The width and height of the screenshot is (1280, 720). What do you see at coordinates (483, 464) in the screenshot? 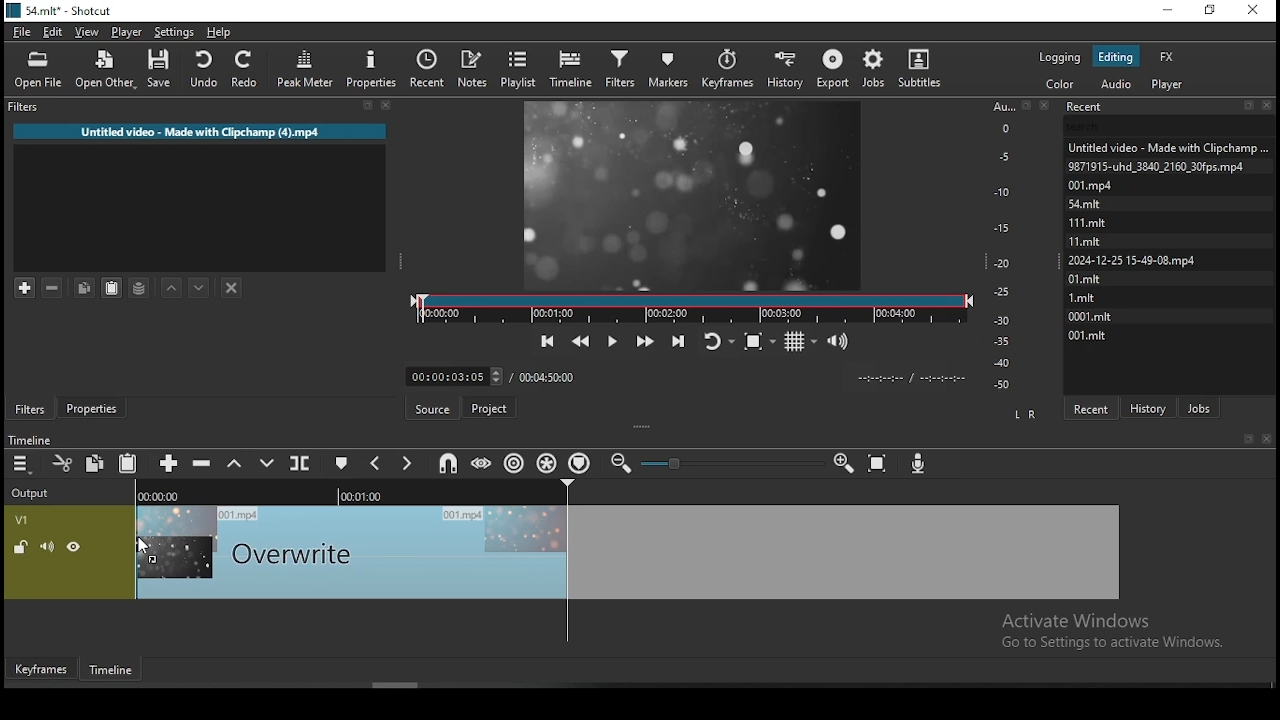
I see `scrub while dragging` at bounding box center [483, 464].